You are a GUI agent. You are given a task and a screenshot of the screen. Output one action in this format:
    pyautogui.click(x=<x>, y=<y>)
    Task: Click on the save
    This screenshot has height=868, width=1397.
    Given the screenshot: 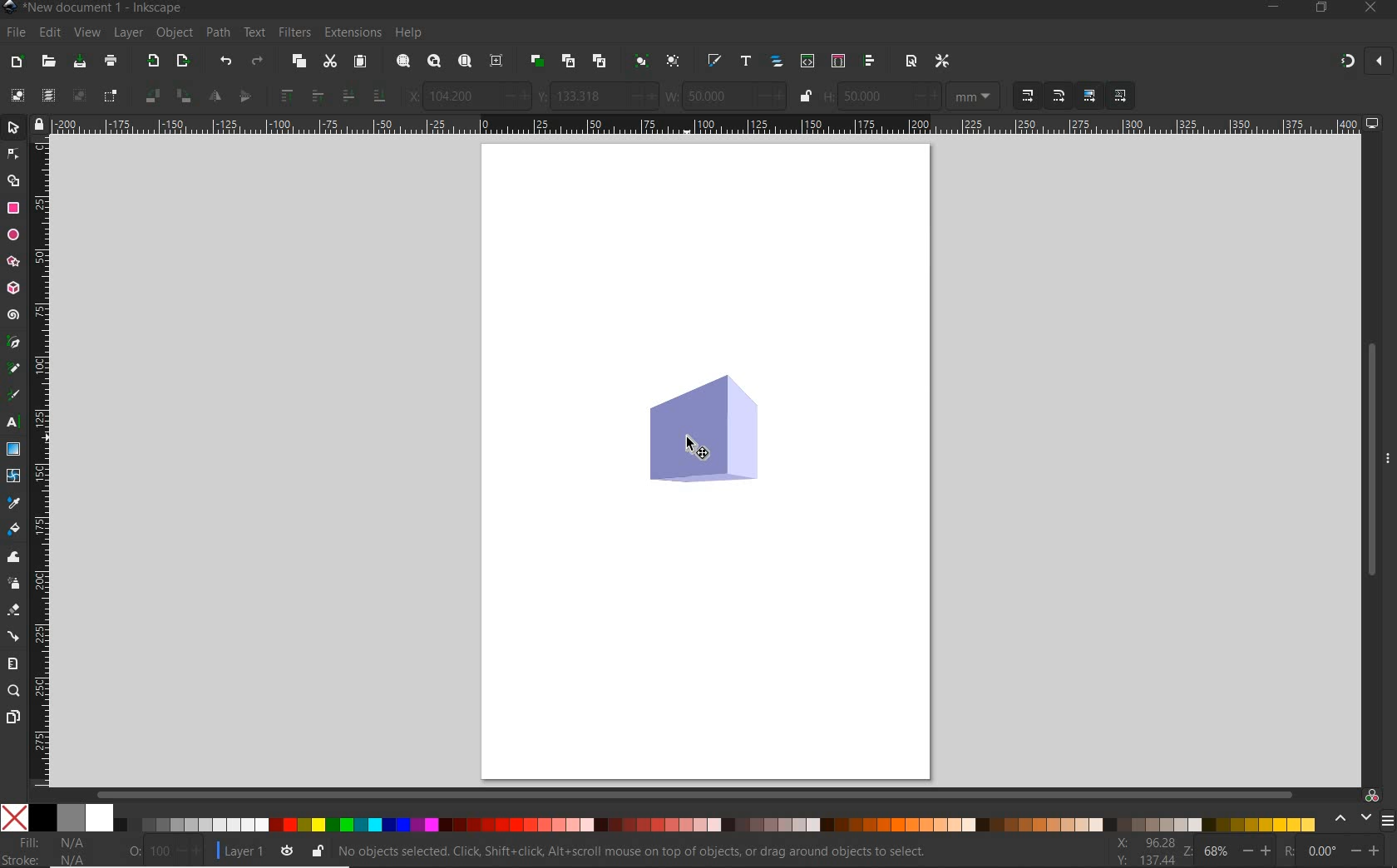 What is the action you would take?
    pyautogui.click(x=79, y=61)
    